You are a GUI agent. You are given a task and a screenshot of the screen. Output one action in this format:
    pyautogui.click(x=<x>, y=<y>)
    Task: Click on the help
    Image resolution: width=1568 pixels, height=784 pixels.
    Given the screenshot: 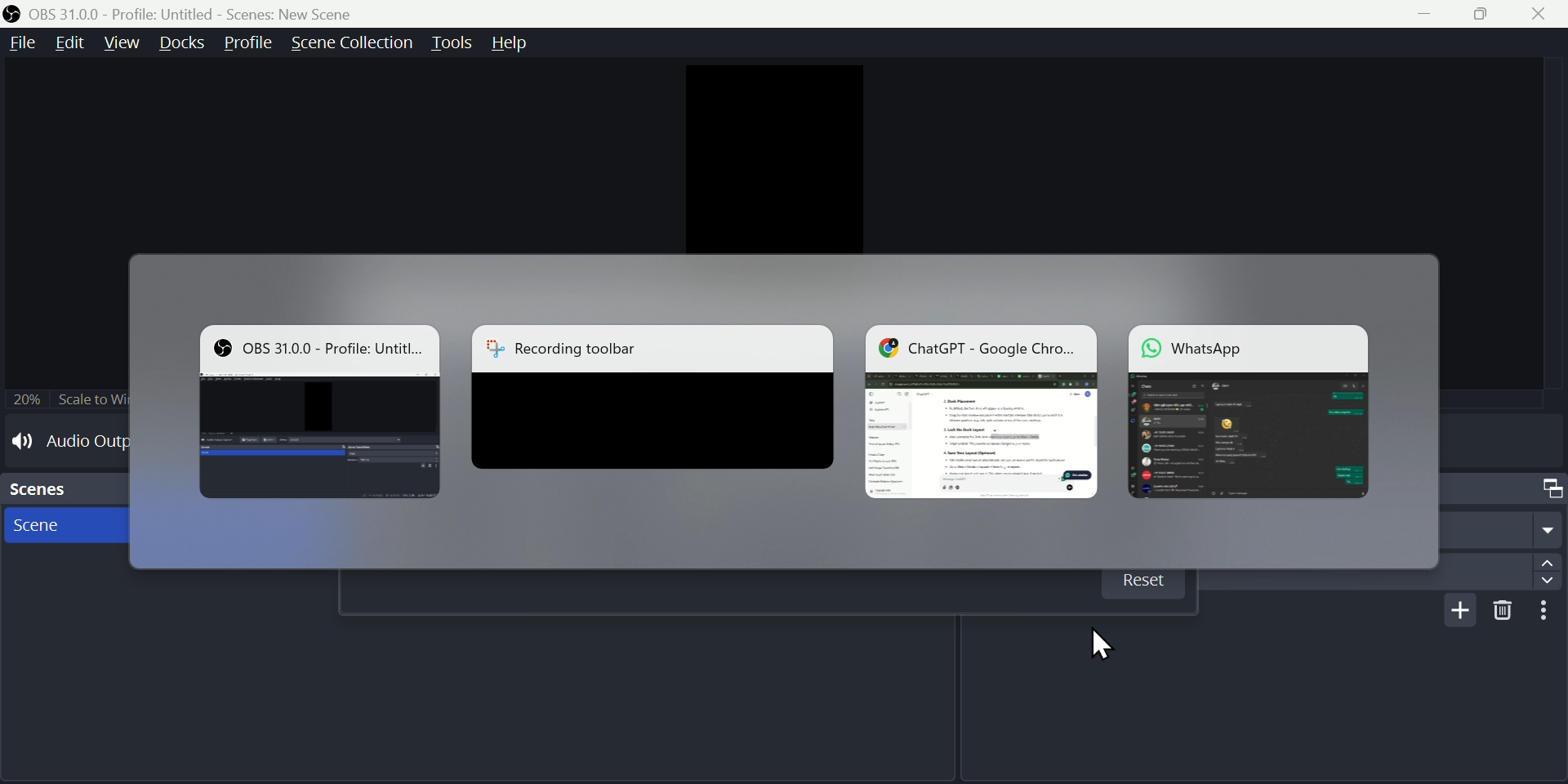 What is the action you would take?
    pyautogui.click(x=515, y=43)
    